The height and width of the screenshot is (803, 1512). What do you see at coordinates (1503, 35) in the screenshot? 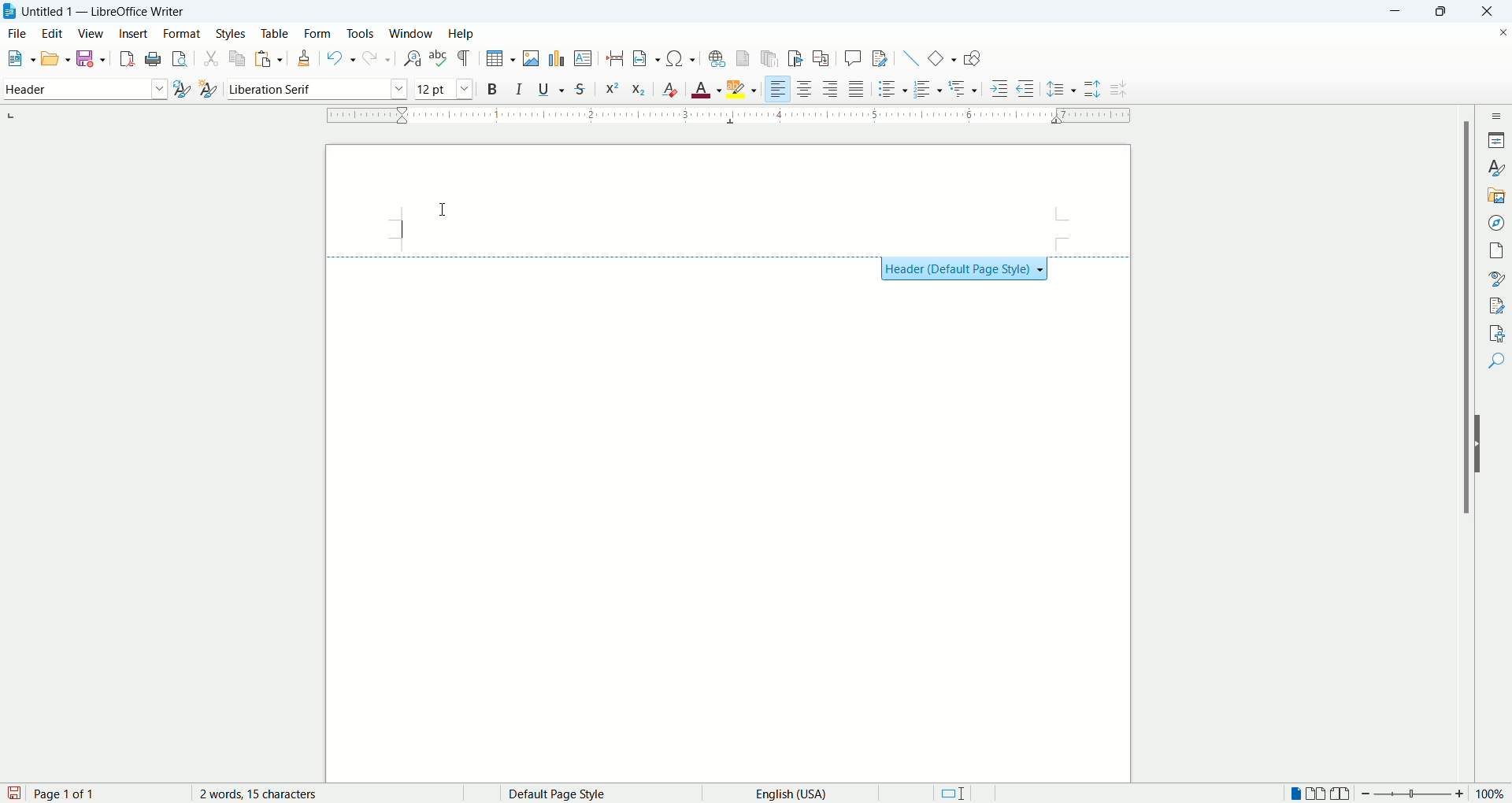
I see `close document` at bounding box center [1503, 35].